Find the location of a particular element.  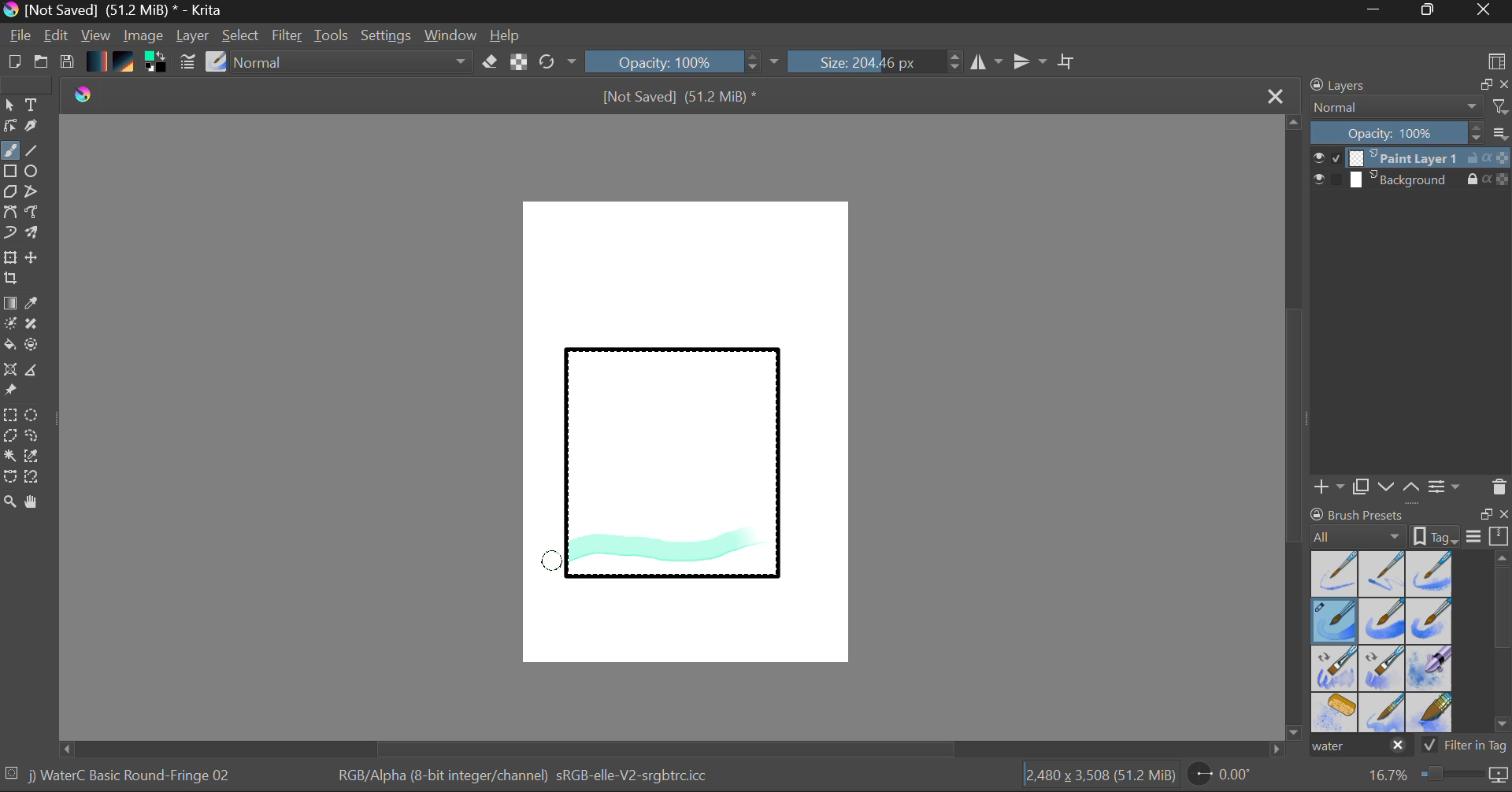

logo is located at coordinates (93, 94).